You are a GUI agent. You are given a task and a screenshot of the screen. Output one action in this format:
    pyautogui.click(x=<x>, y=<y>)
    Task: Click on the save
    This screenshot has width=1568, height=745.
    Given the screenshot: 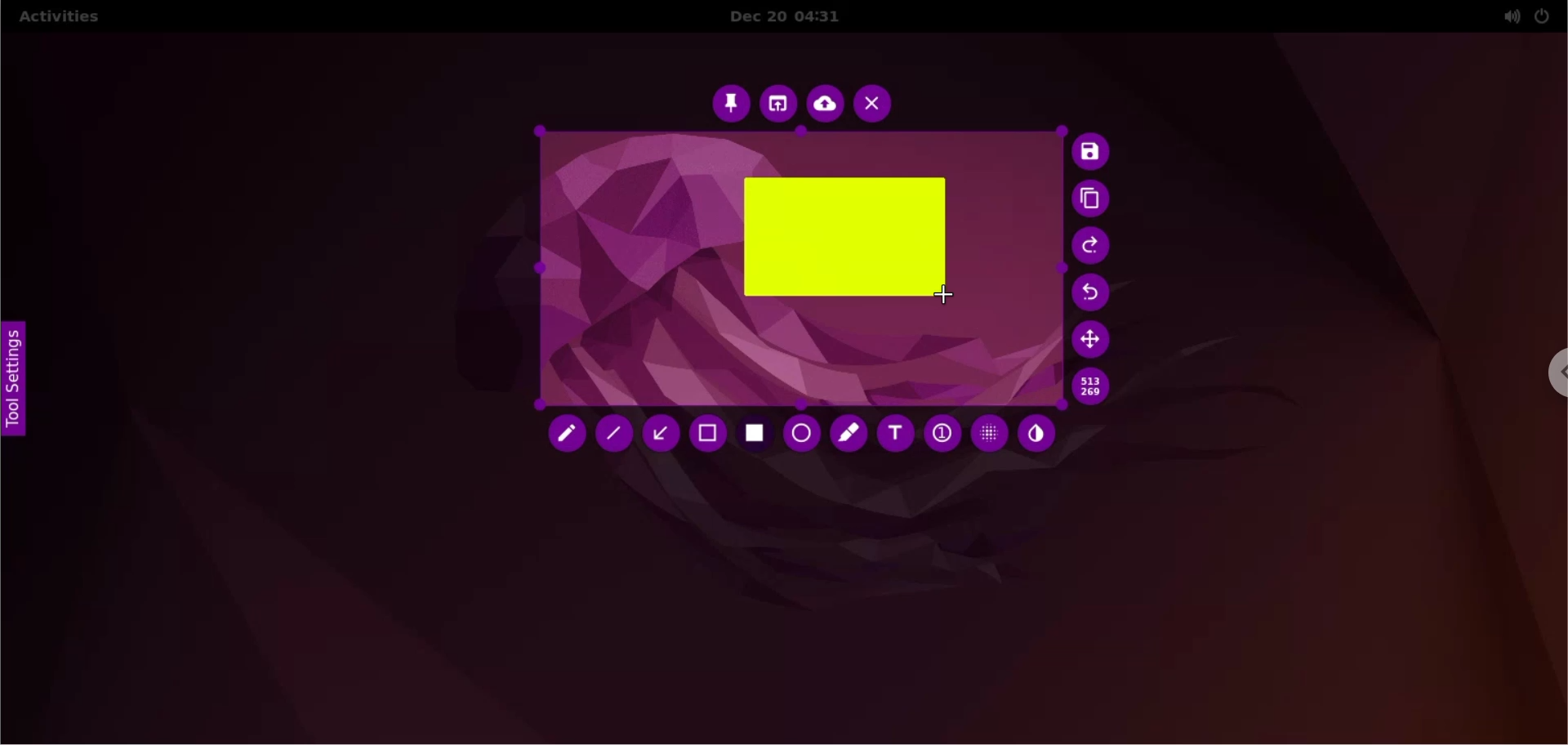 What is the action you would take?
    pyautogui.click(x=1092, y=152)
    